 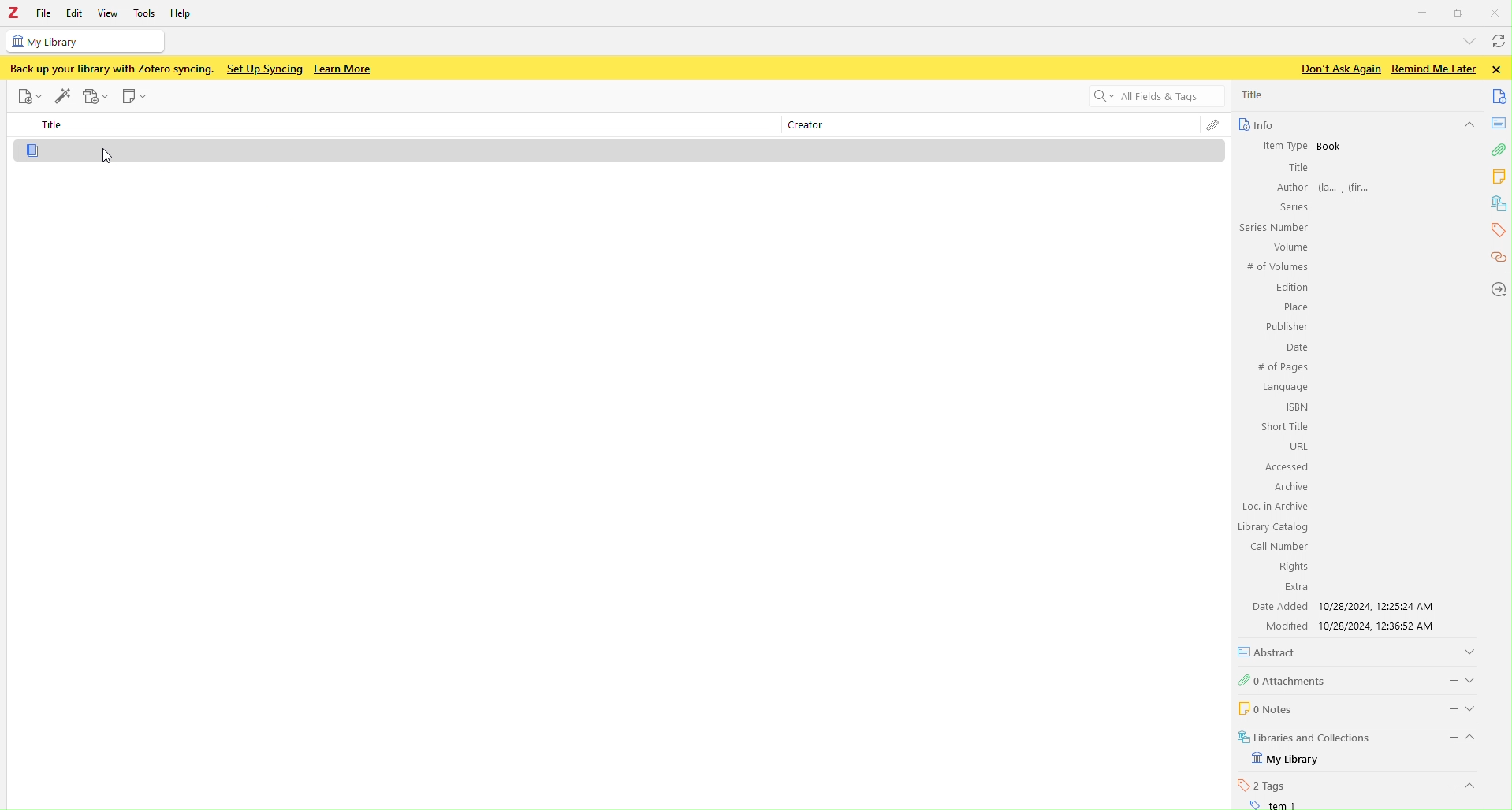 What do you see at coordinates (1451, 786) in the screenshot?
I see `add` at bounding box center [1451, 786].